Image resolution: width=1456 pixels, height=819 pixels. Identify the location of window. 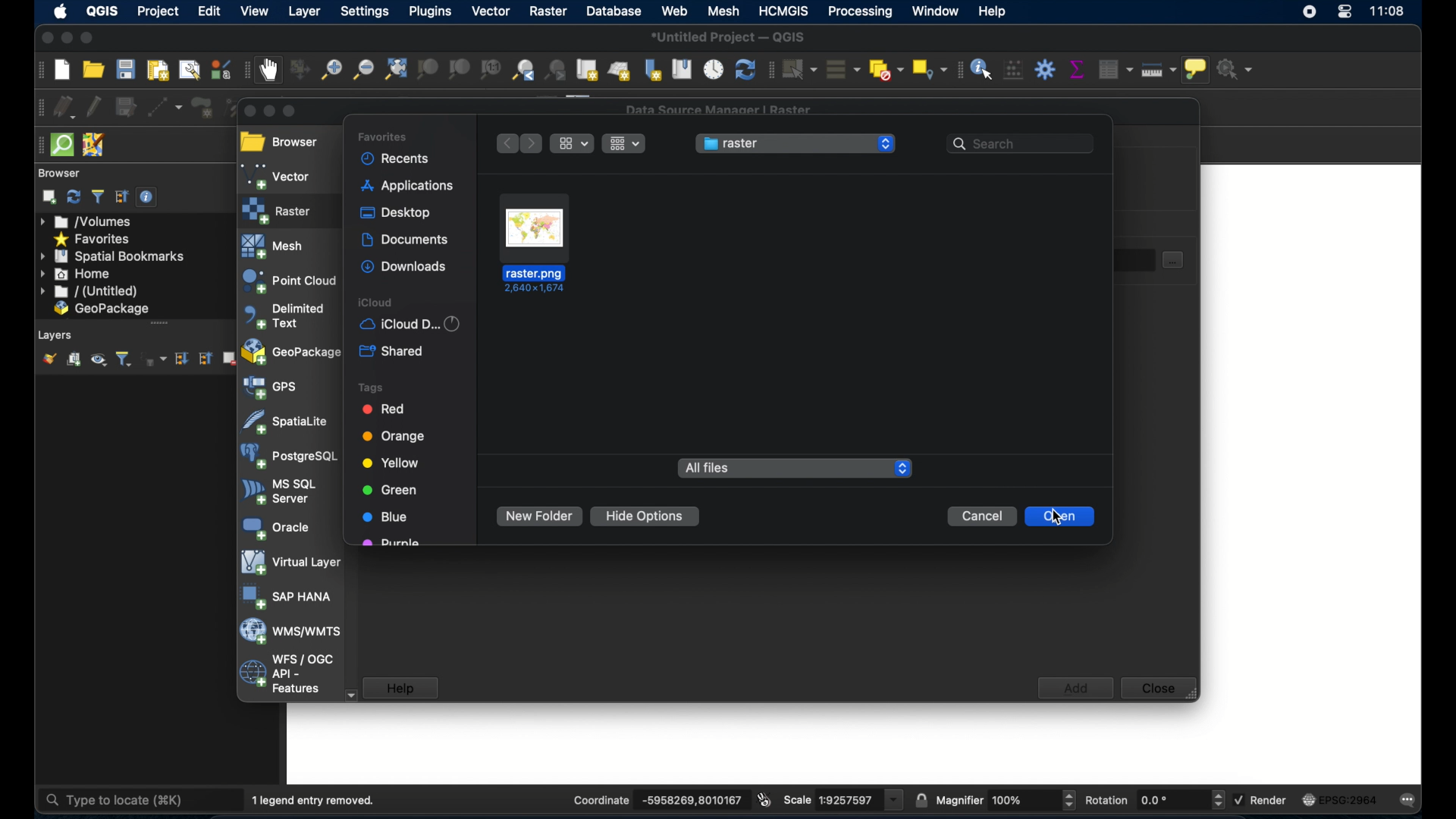
(934, 11).